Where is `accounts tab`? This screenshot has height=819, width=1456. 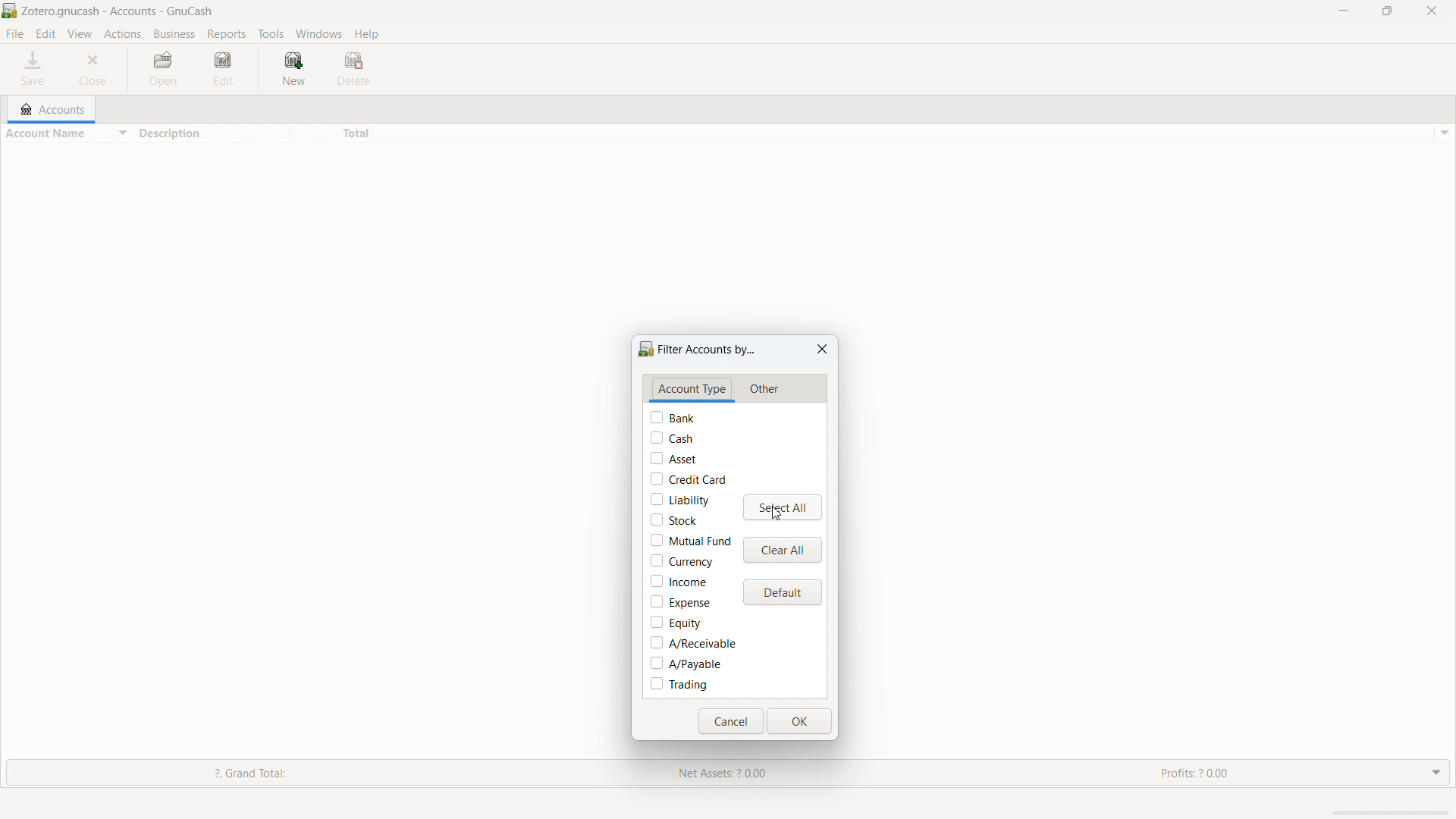 accounts tab is located at coordinates (57, 107).